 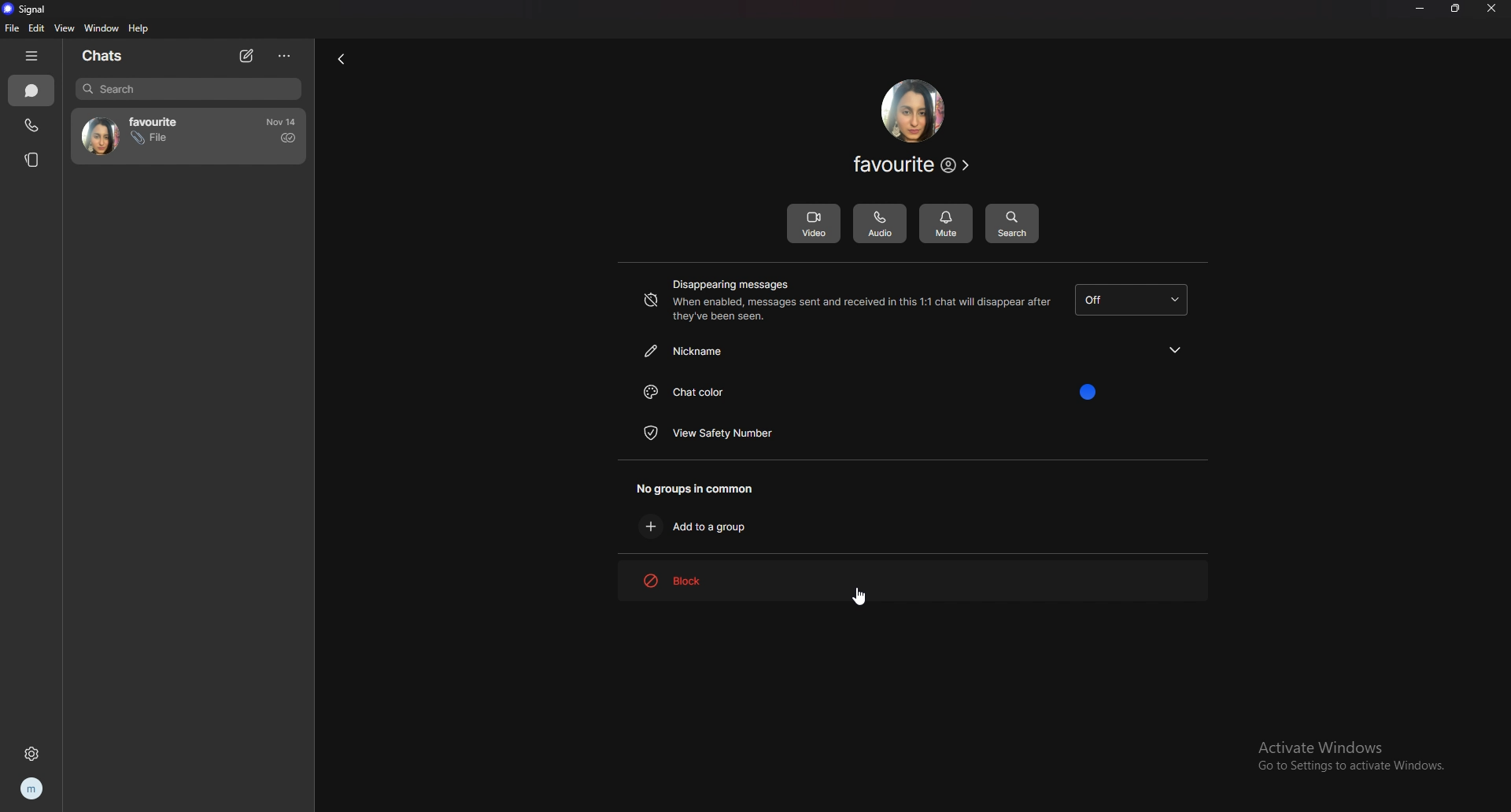 What do you see at coordinates (813, 223) in the screenshot?
I see `video` at bounding box center [813, 223].